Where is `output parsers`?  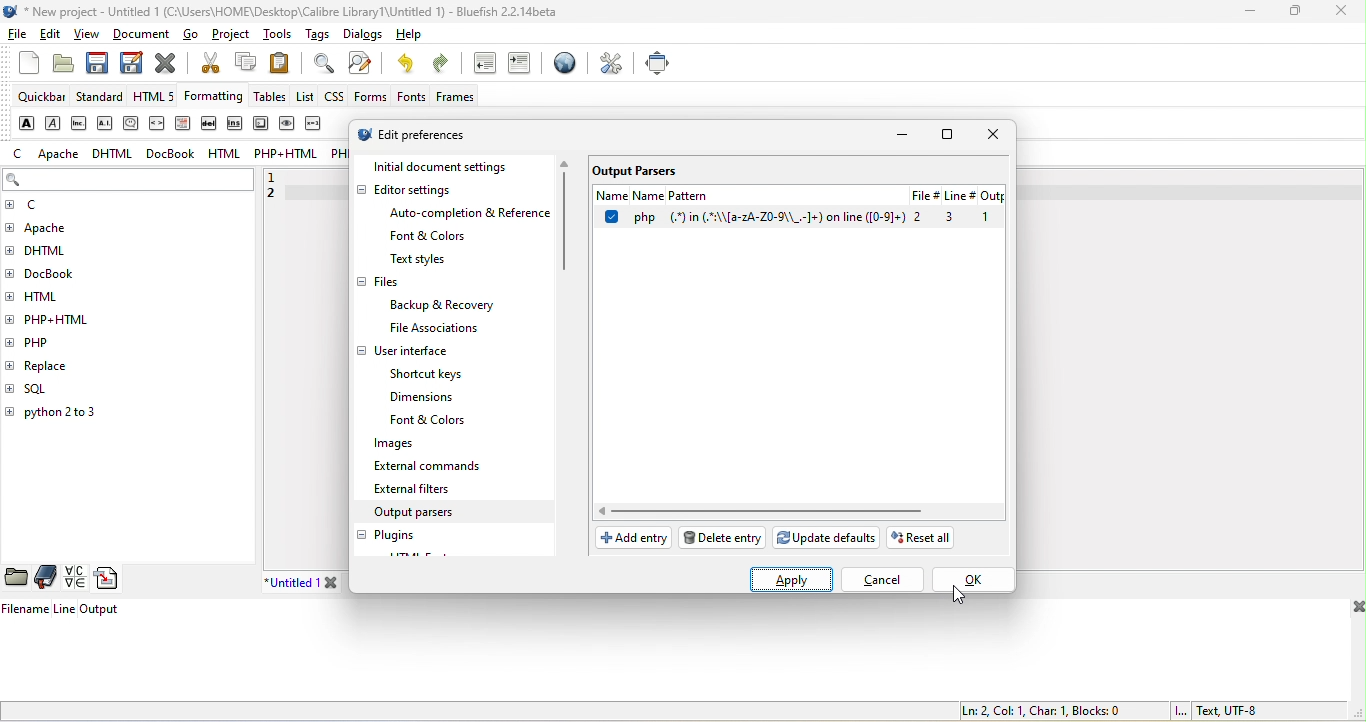
output parsers is located at coordinates (432, 514).